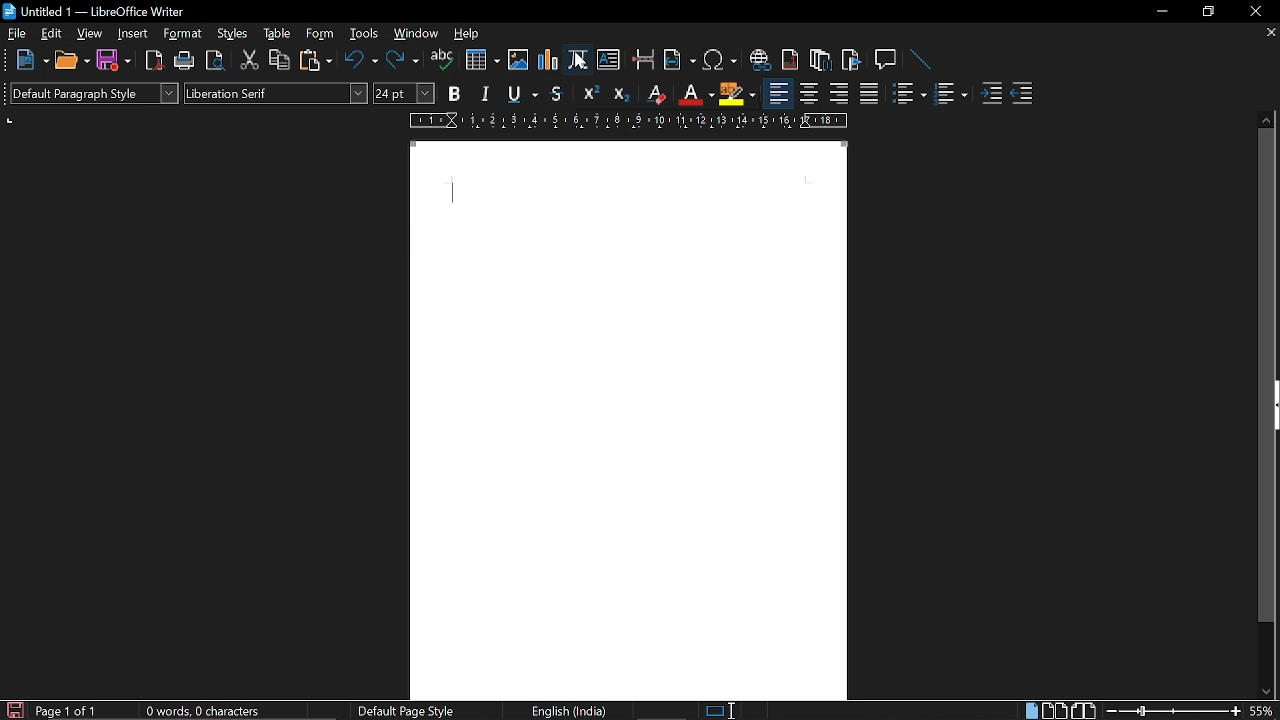  What do you see at coordinates (277, 92) in the screenshot?
I see `text style` at bounding box center [277, 92].